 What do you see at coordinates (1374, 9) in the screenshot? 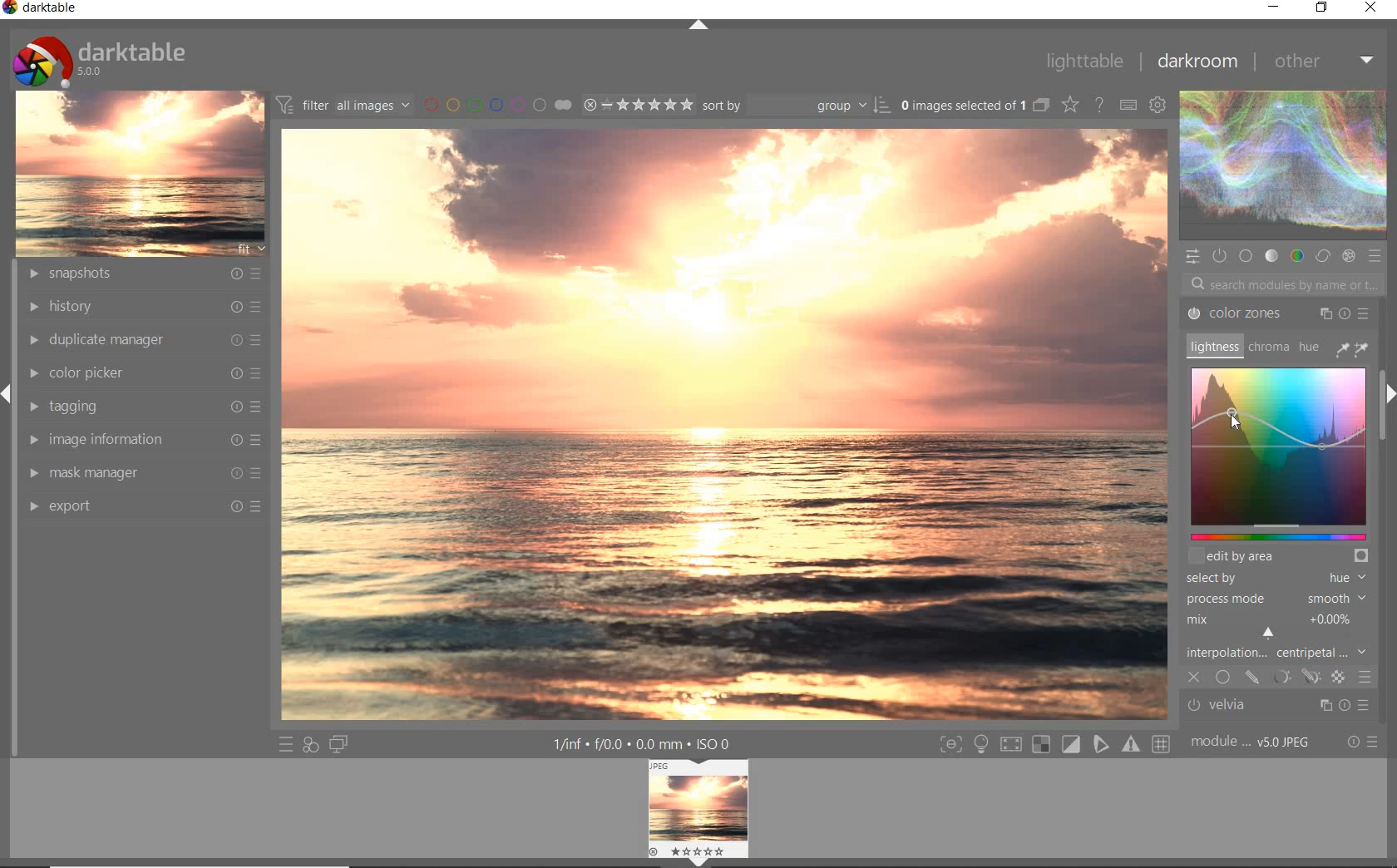
I see `close` at bounding box center [1374, 9].